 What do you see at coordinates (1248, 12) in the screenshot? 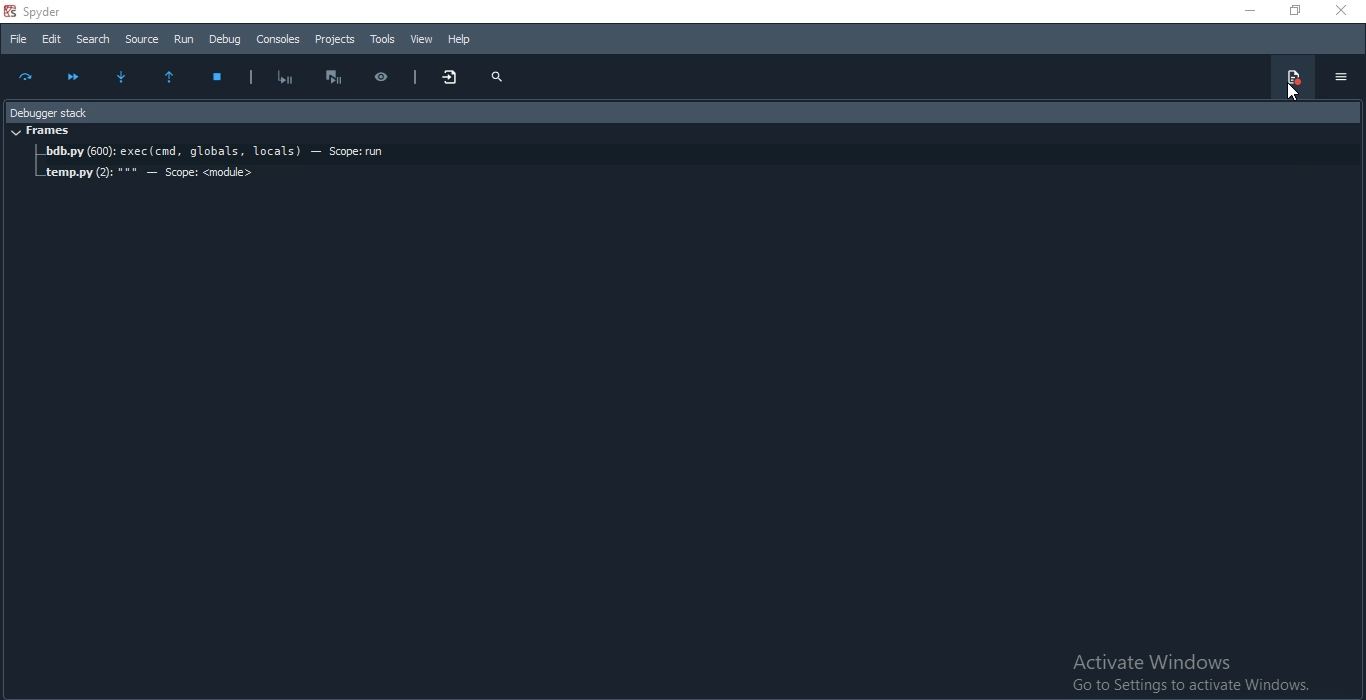
I see `minimize` at bounding box center [1248, 12].